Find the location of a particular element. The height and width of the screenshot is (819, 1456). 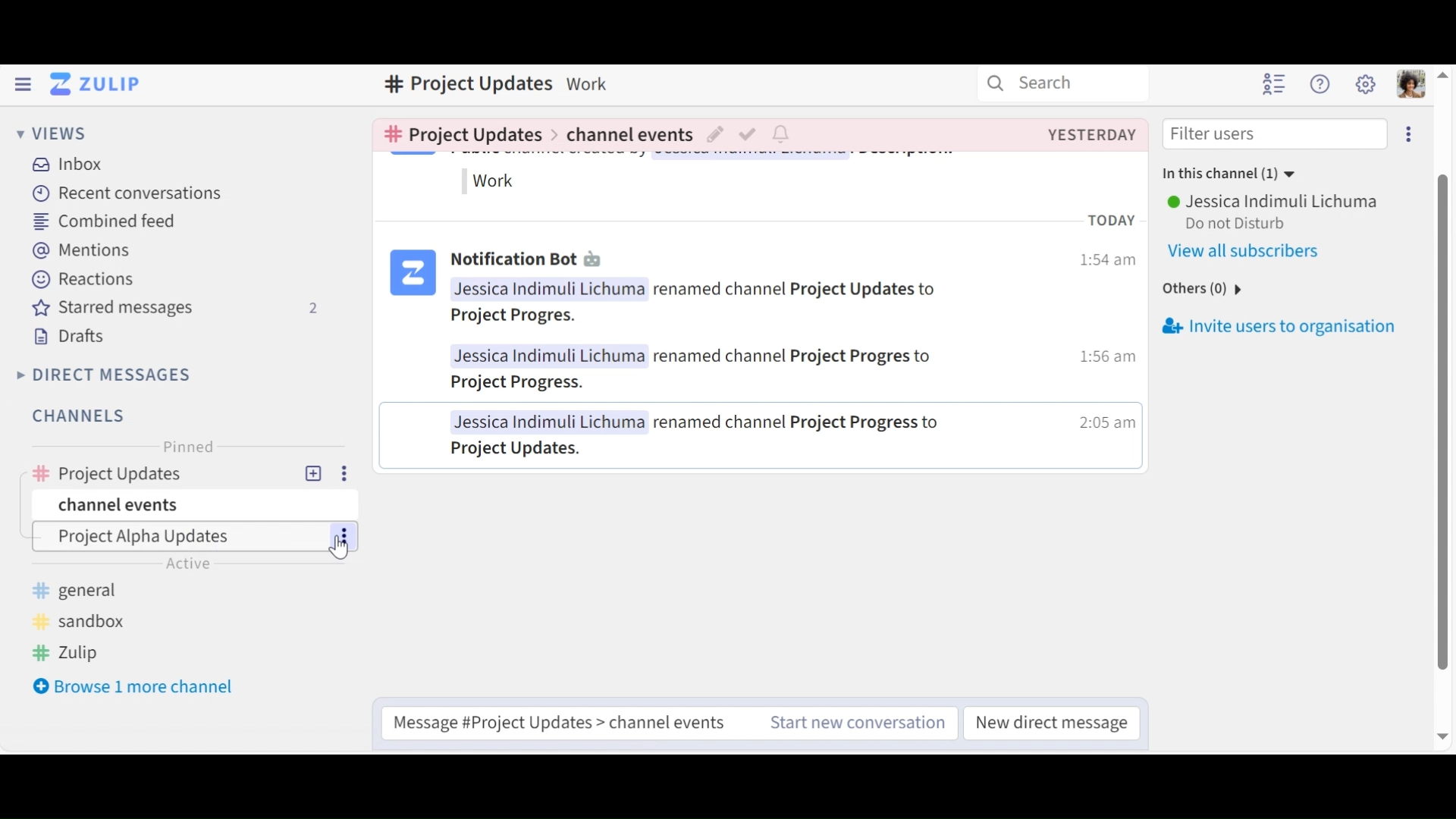

Hide Left Sidebar is located at coordinates (24, 83).